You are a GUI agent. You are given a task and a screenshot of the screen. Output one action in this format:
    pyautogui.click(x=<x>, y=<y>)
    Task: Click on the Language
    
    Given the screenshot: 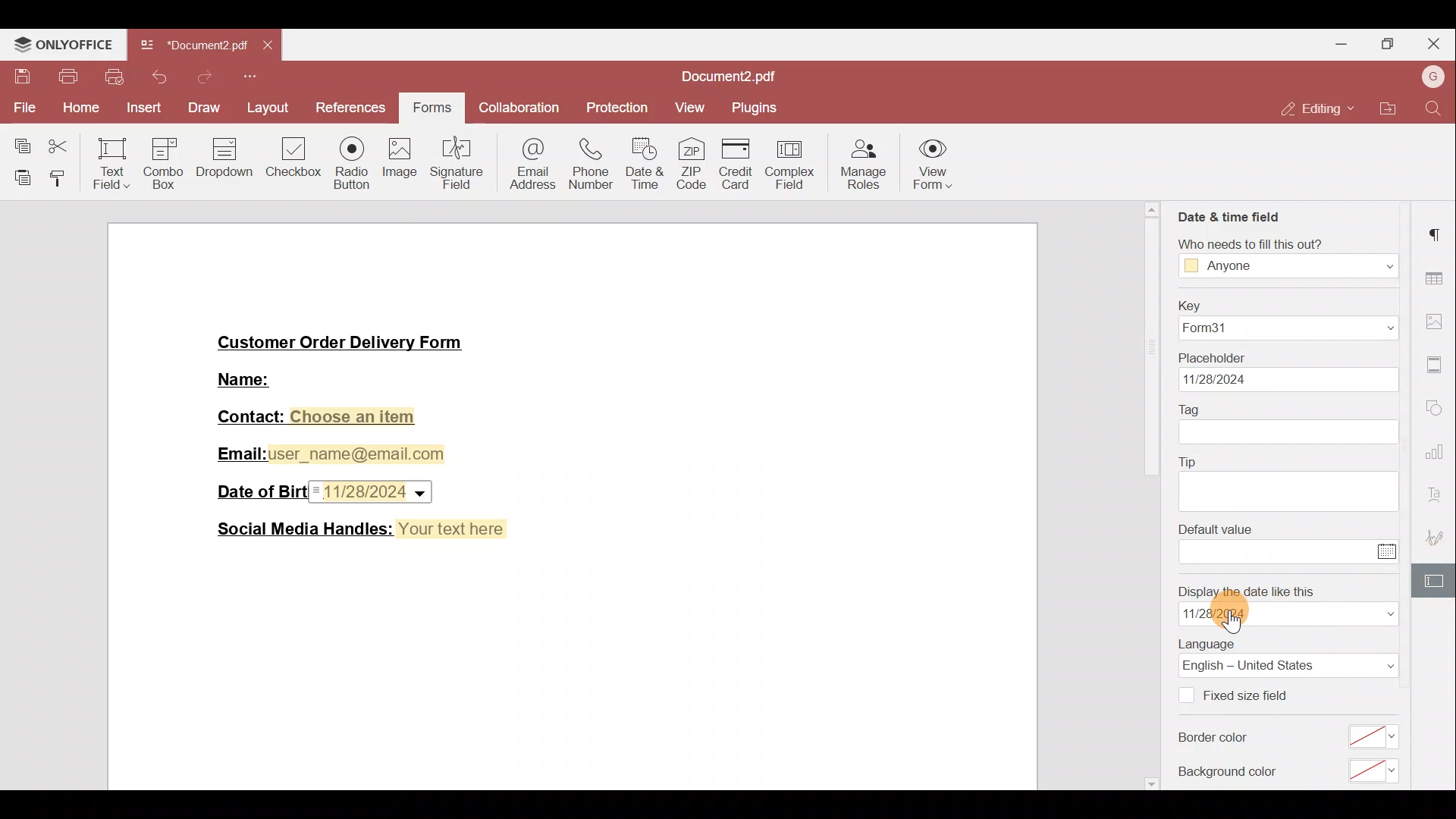 What is the action you would take?
    pyautogui.click(x=1209, y=645)
    